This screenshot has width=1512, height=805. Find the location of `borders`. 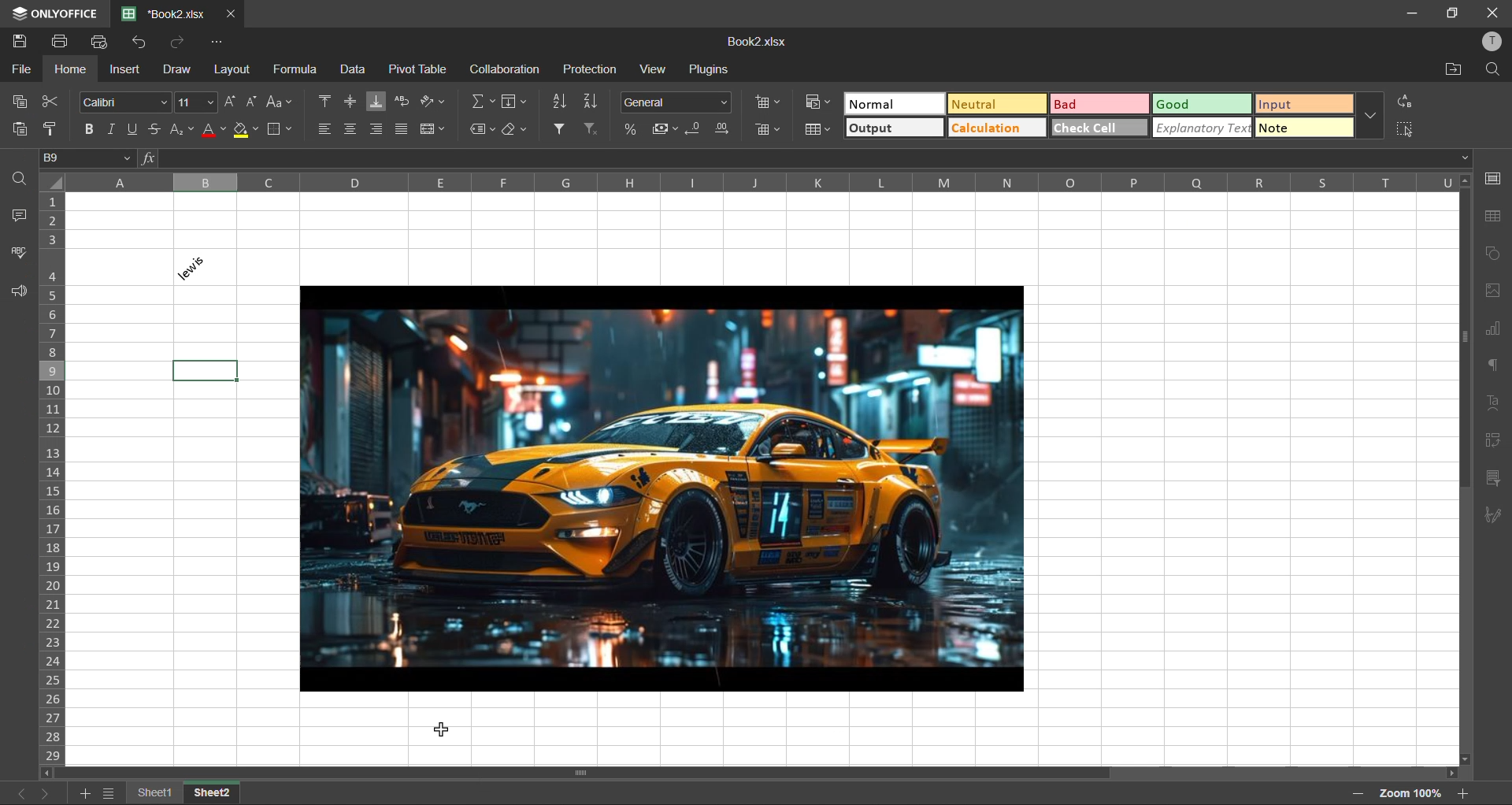

borders is located at coordinates (280, 128).